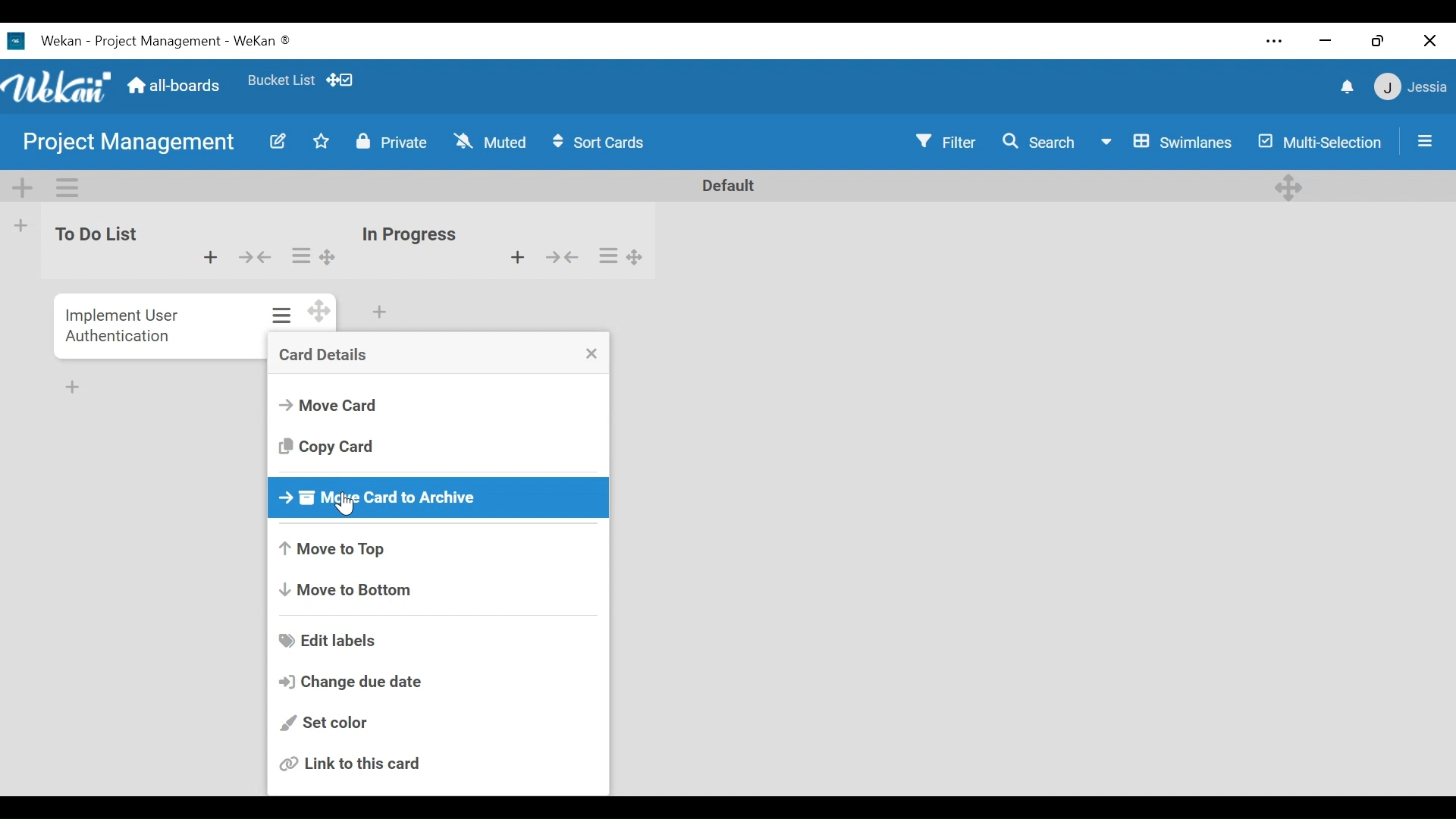  Describe the element at coordinates (277, 143) in the screenshot. I see `Edit` at that location.